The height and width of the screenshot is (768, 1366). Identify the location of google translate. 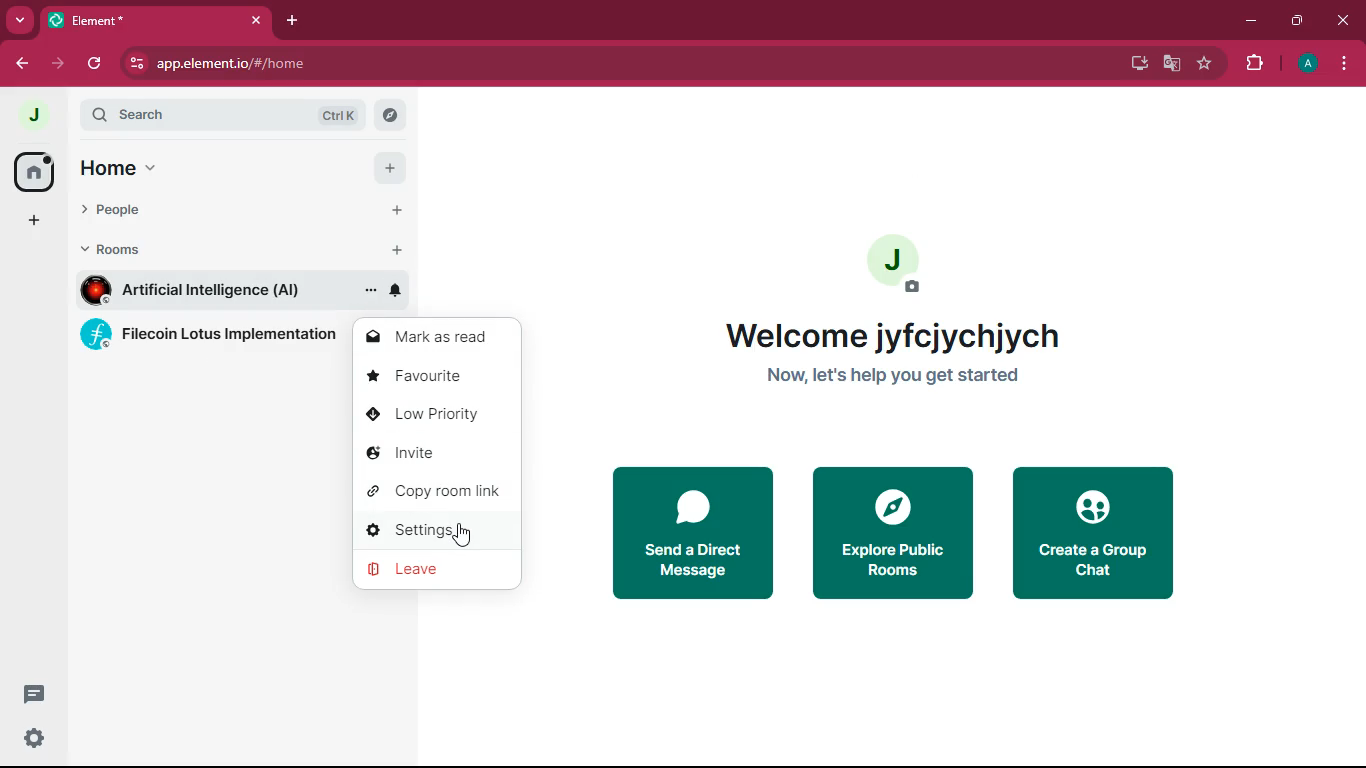
(1170, 66).